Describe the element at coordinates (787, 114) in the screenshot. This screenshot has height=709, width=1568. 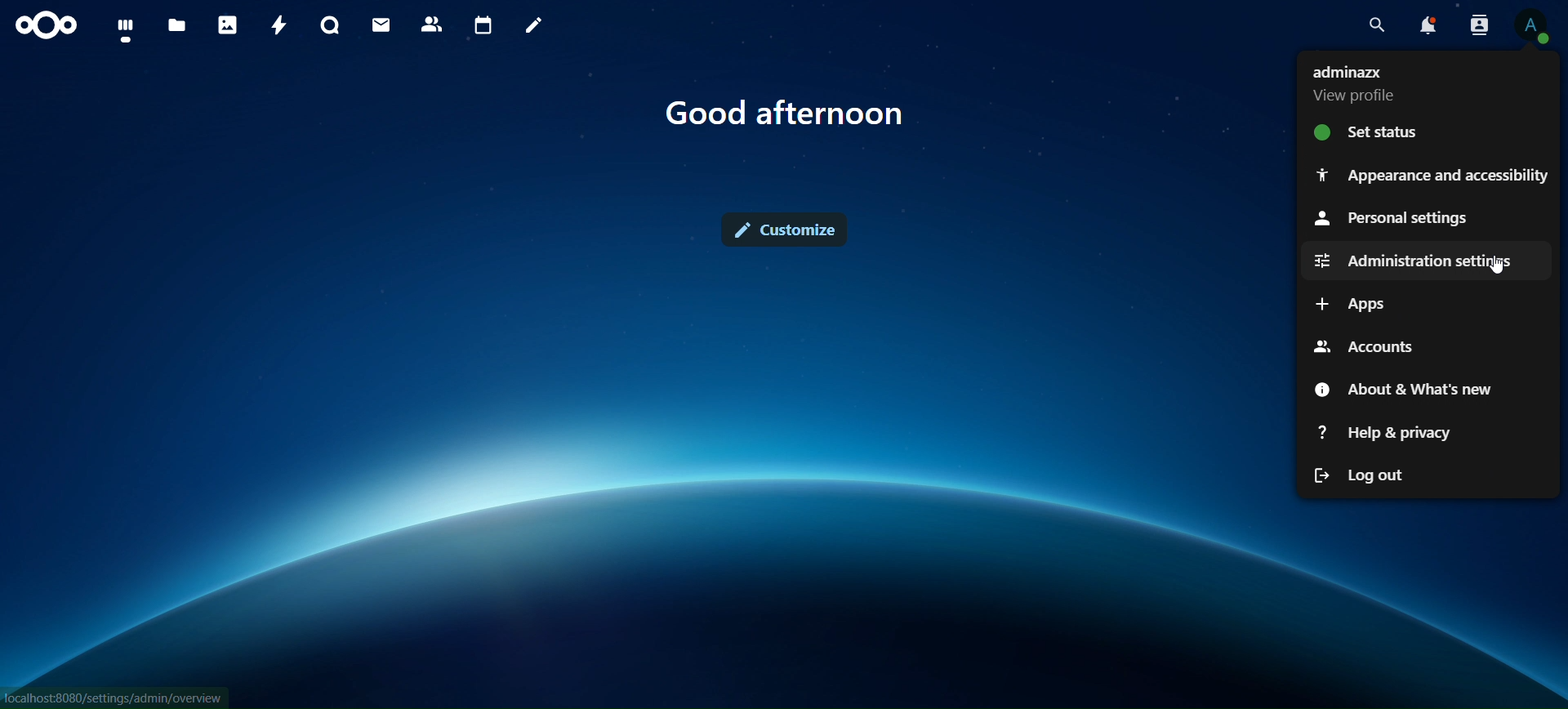
I see `text` at that location.